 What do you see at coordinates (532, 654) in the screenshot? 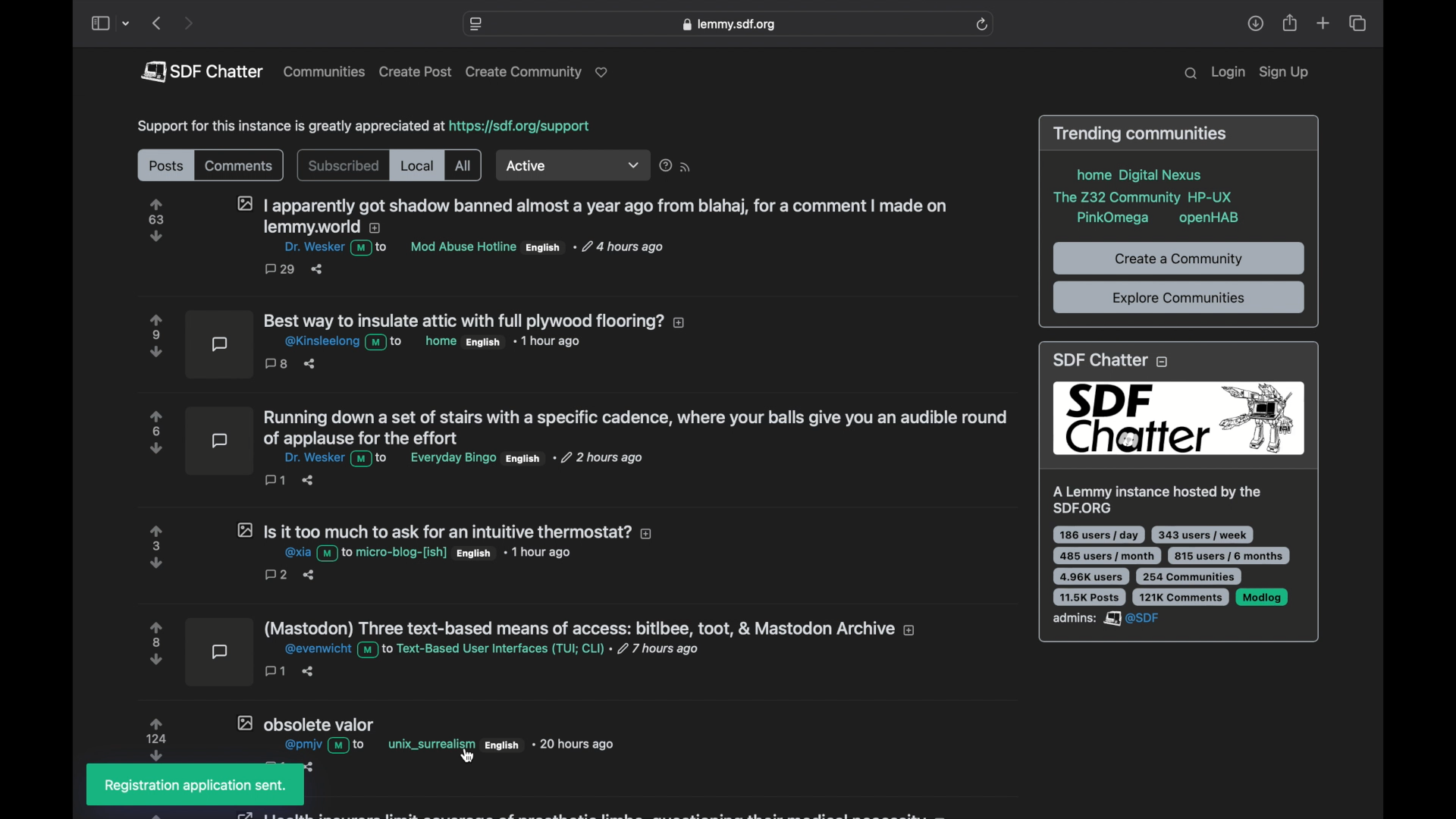
I see `post` at bounding box center [532, 654].